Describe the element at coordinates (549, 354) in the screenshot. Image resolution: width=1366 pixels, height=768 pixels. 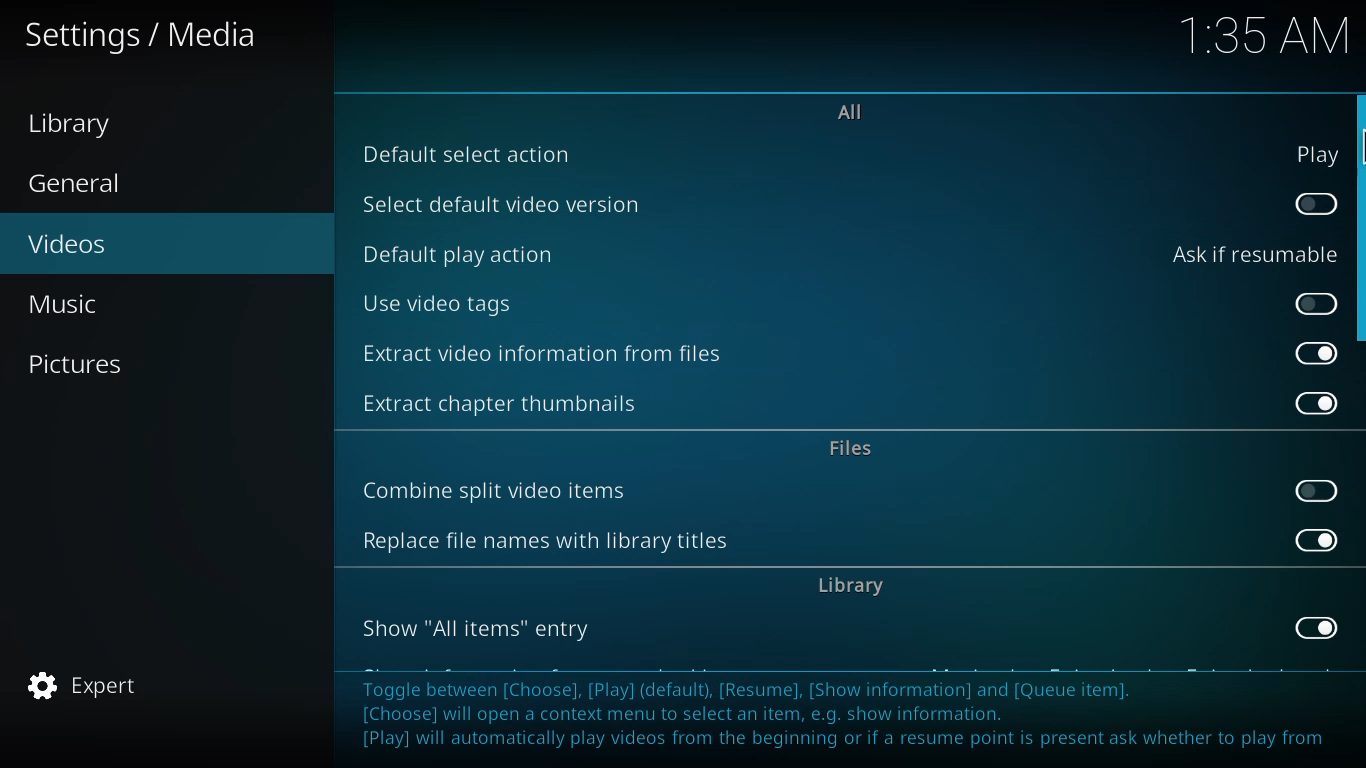
I see `extract video info` at that location.